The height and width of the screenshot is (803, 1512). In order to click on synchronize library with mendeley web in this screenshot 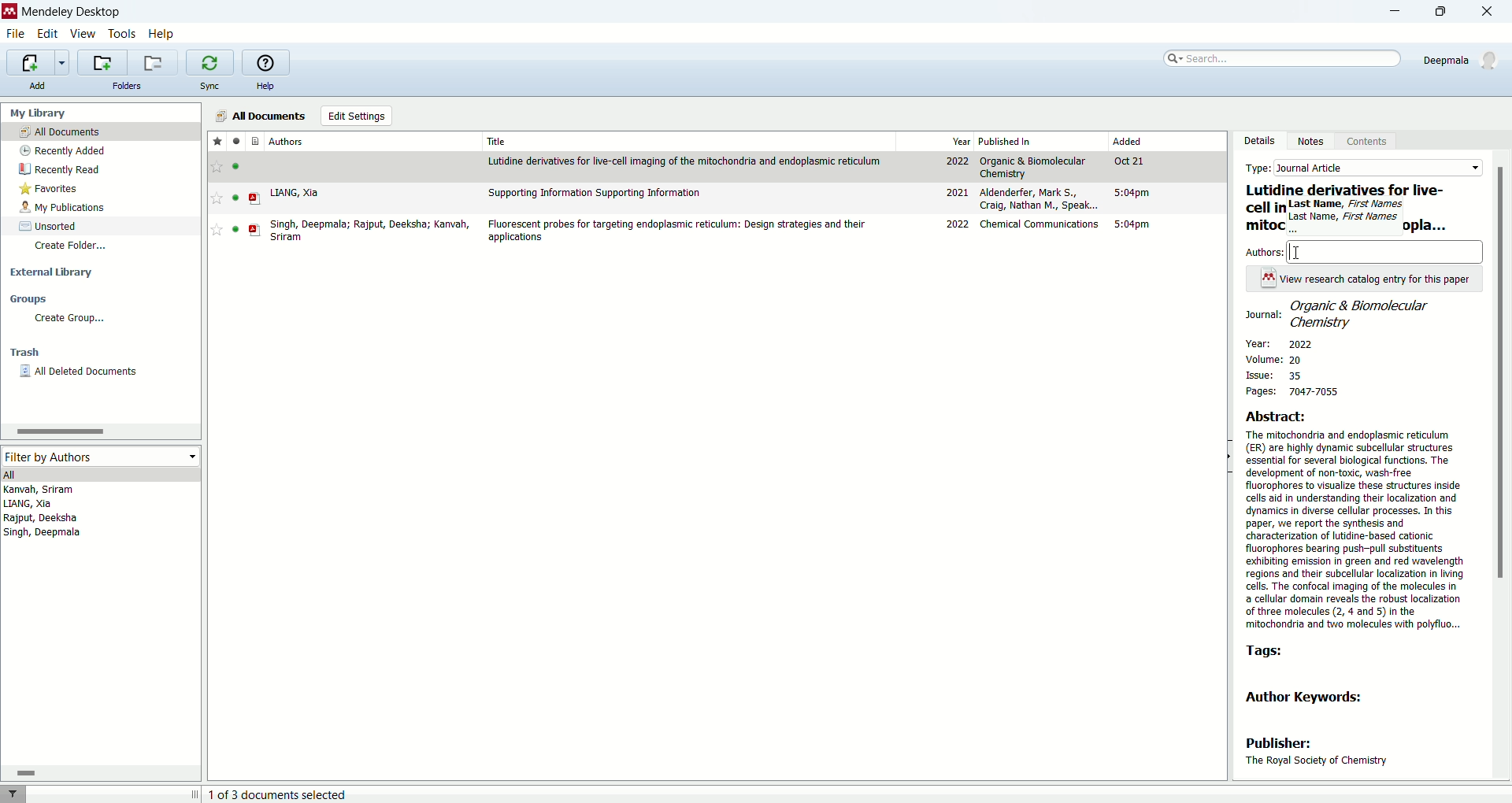, I will do `click(210, 64)`.